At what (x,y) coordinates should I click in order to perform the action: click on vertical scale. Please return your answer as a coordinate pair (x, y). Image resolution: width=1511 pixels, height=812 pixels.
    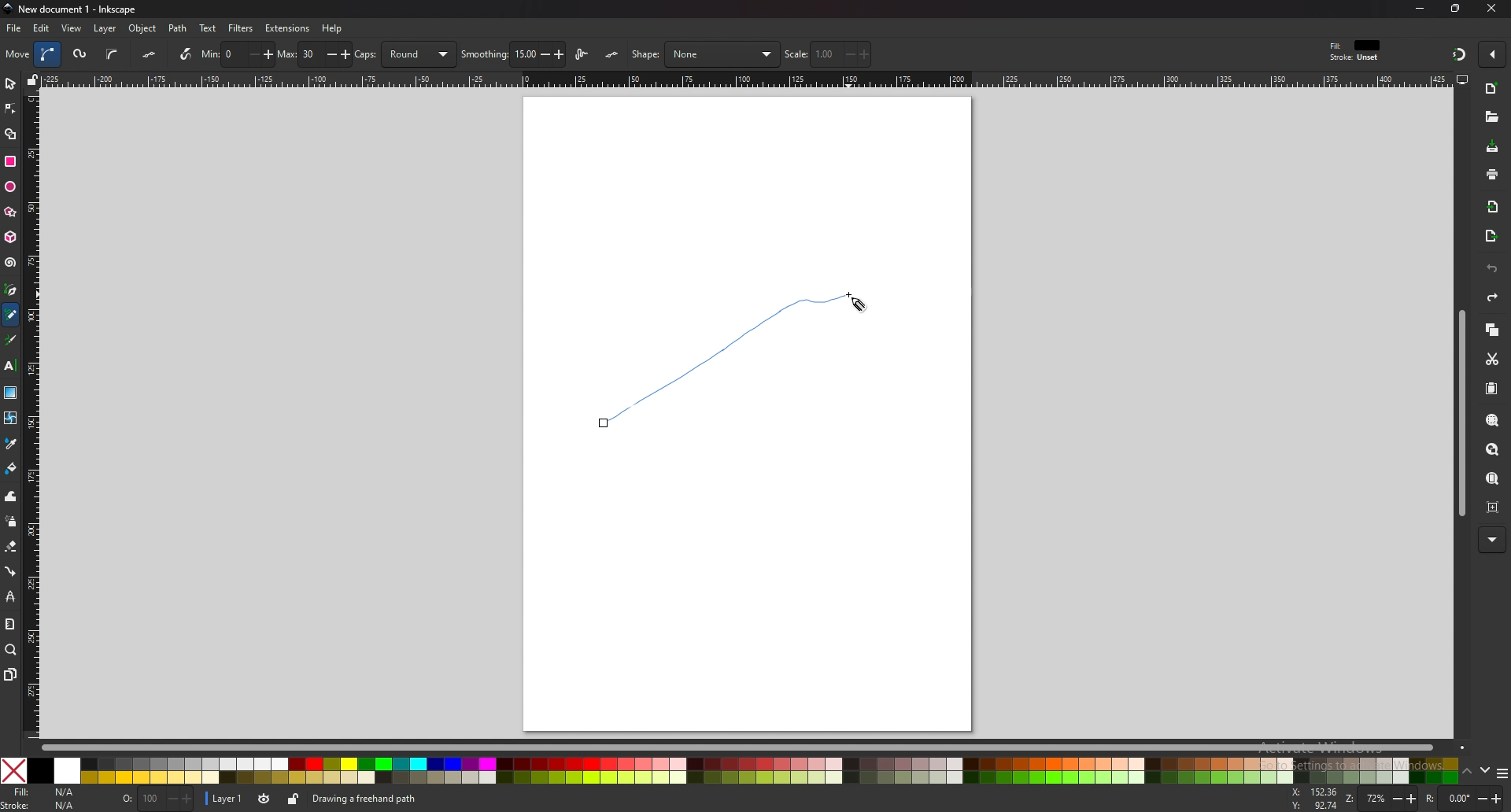
    Looking at the image, I should click on (31, 415).